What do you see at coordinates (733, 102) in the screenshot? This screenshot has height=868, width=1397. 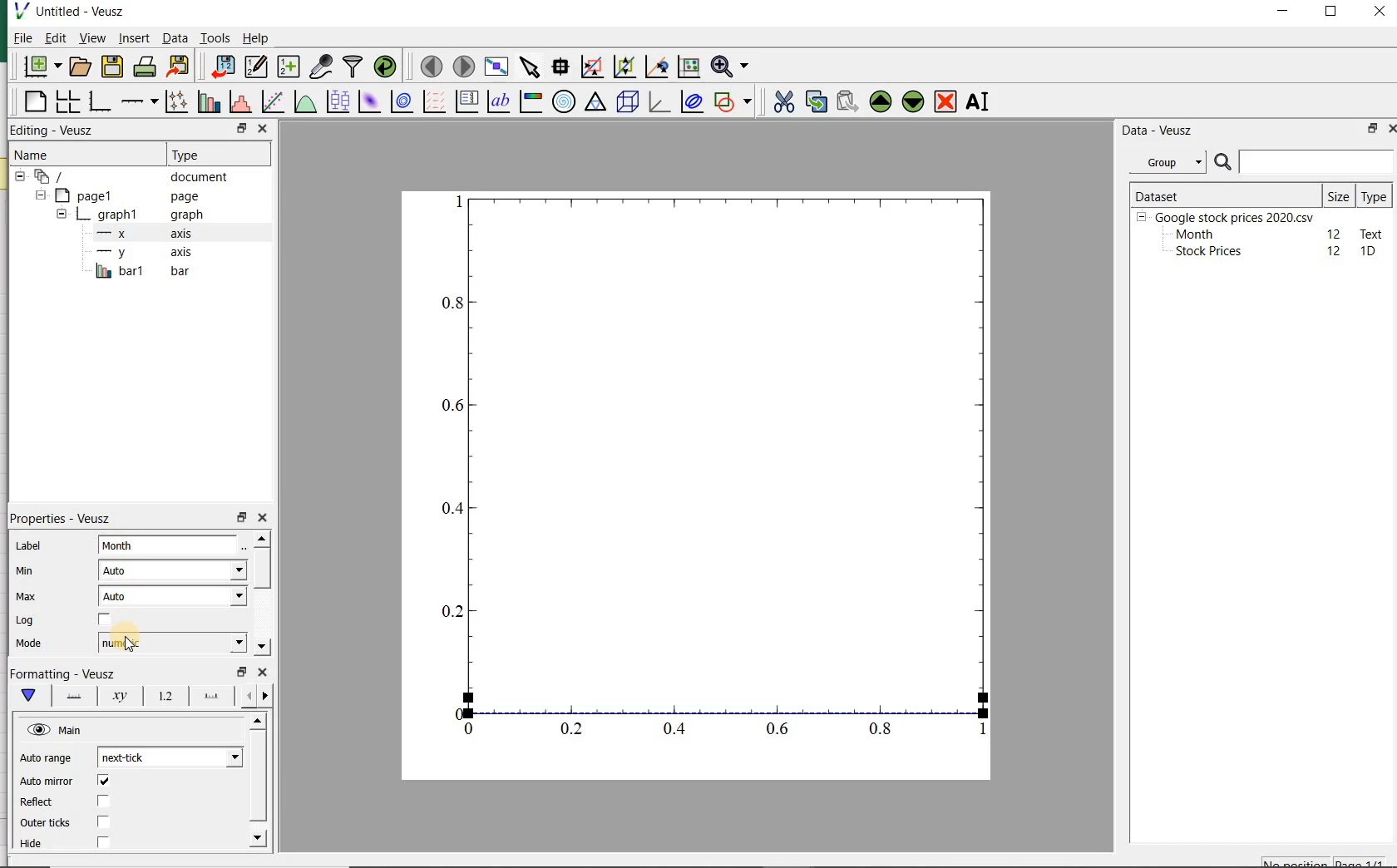 I see `add a shape to the plot` at bounding box center [733, 102].